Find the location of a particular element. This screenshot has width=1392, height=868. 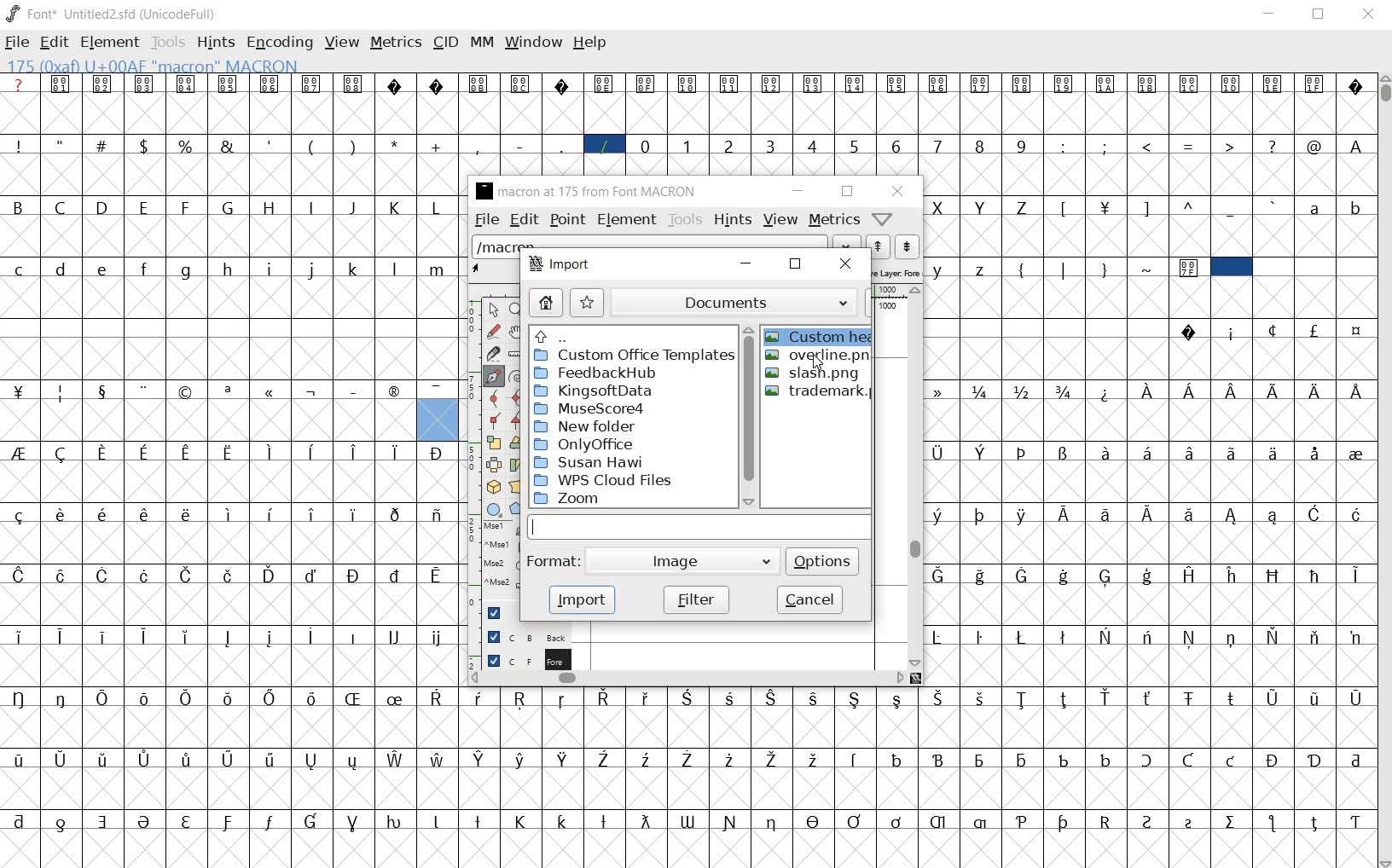

6 is located at coordinates (897, 146).